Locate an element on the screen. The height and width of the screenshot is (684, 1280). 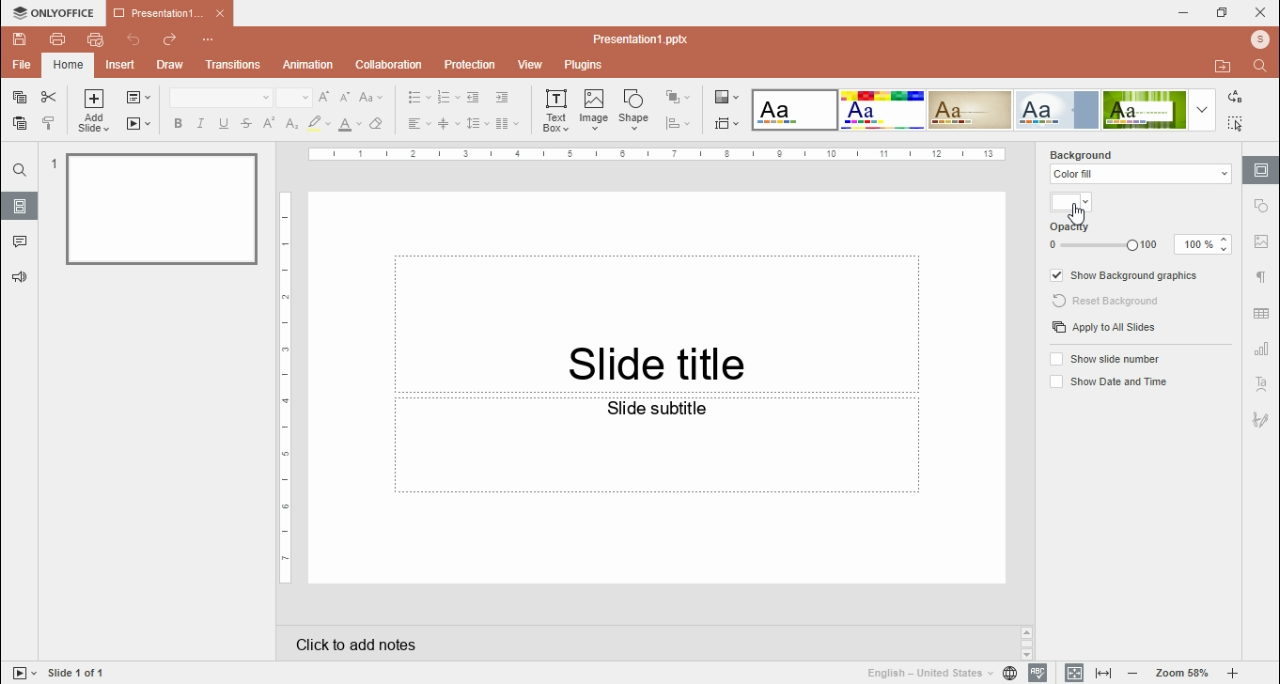
view is located at coordinates (530, 63).